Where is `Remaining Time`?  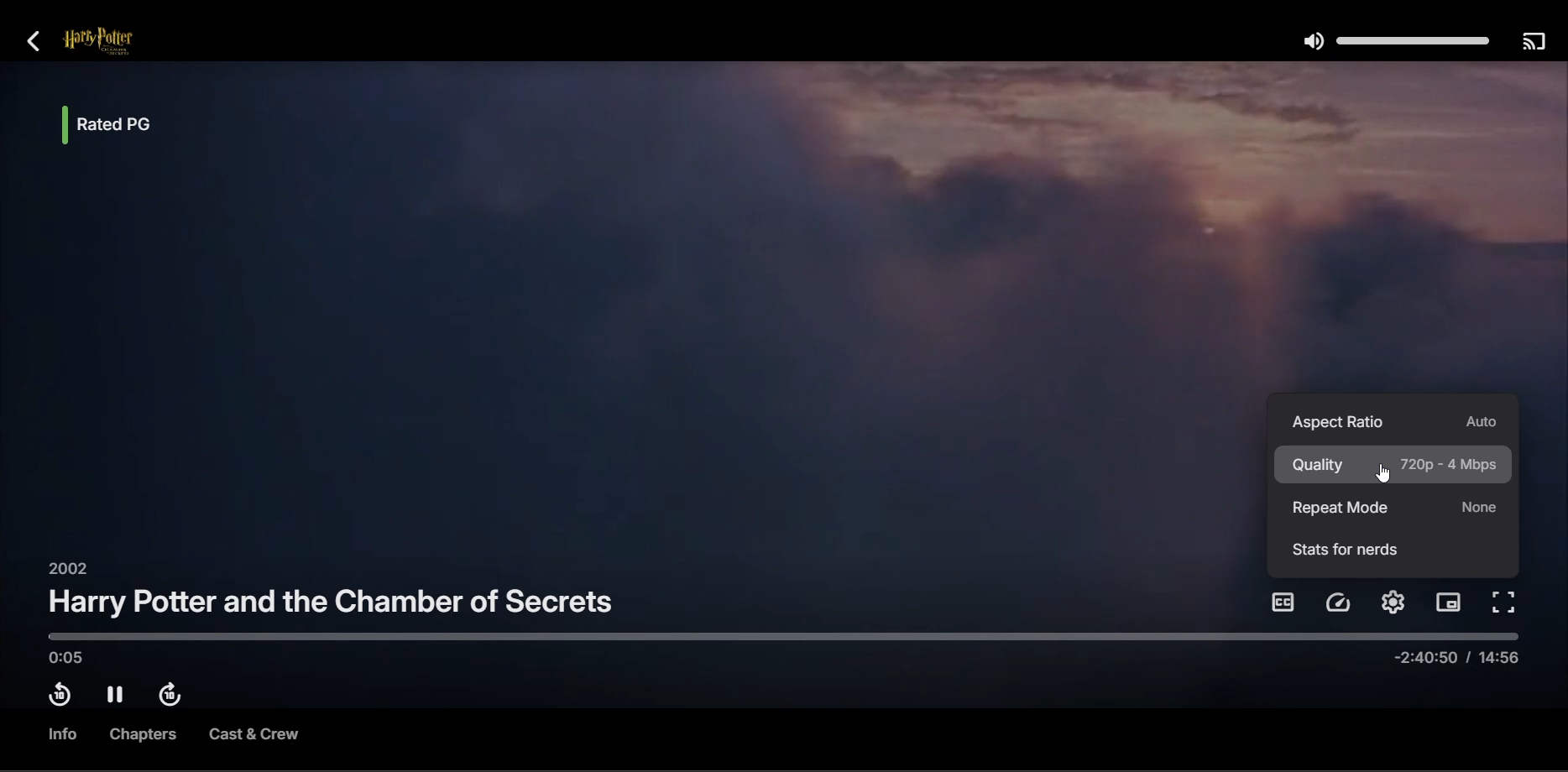
Remaining Time is located at coordinates (1451, 661).